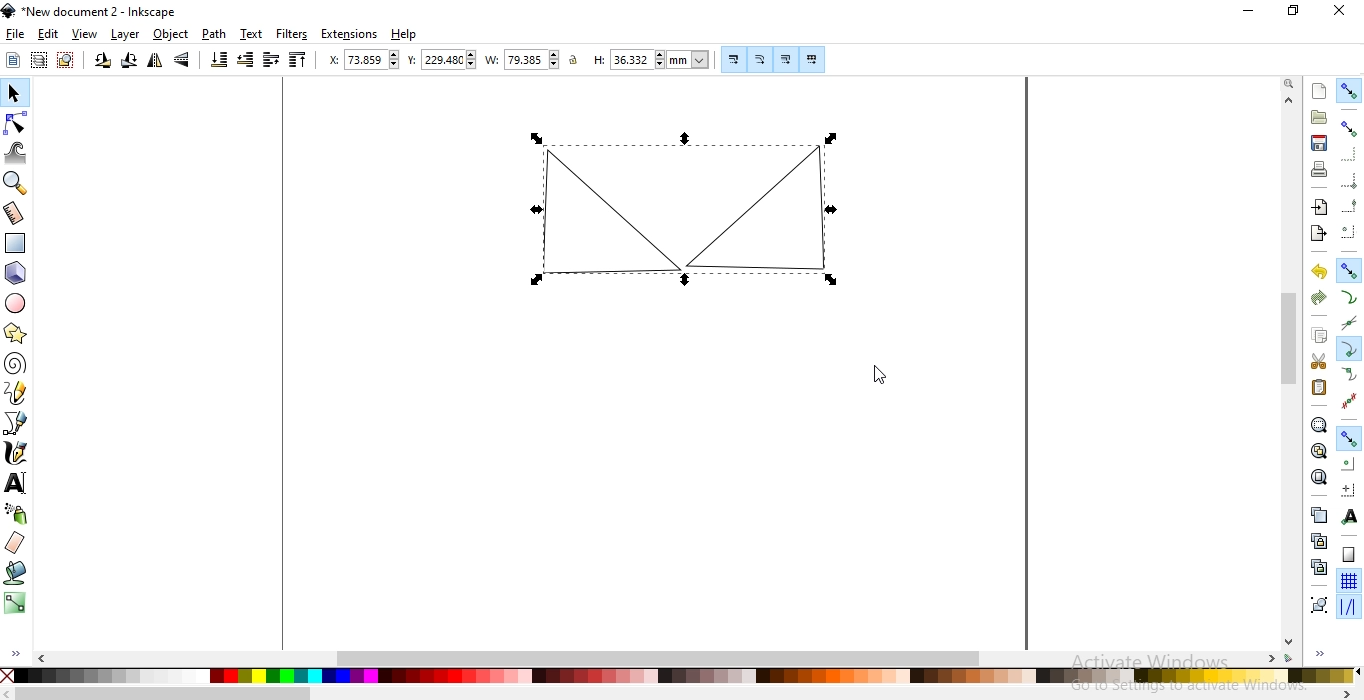 This screenshot has height=700, width=1364. What do you see at coordinates (15, 212) in the screenshot?
I see `measurement tool` at bounding box center [15, 212].